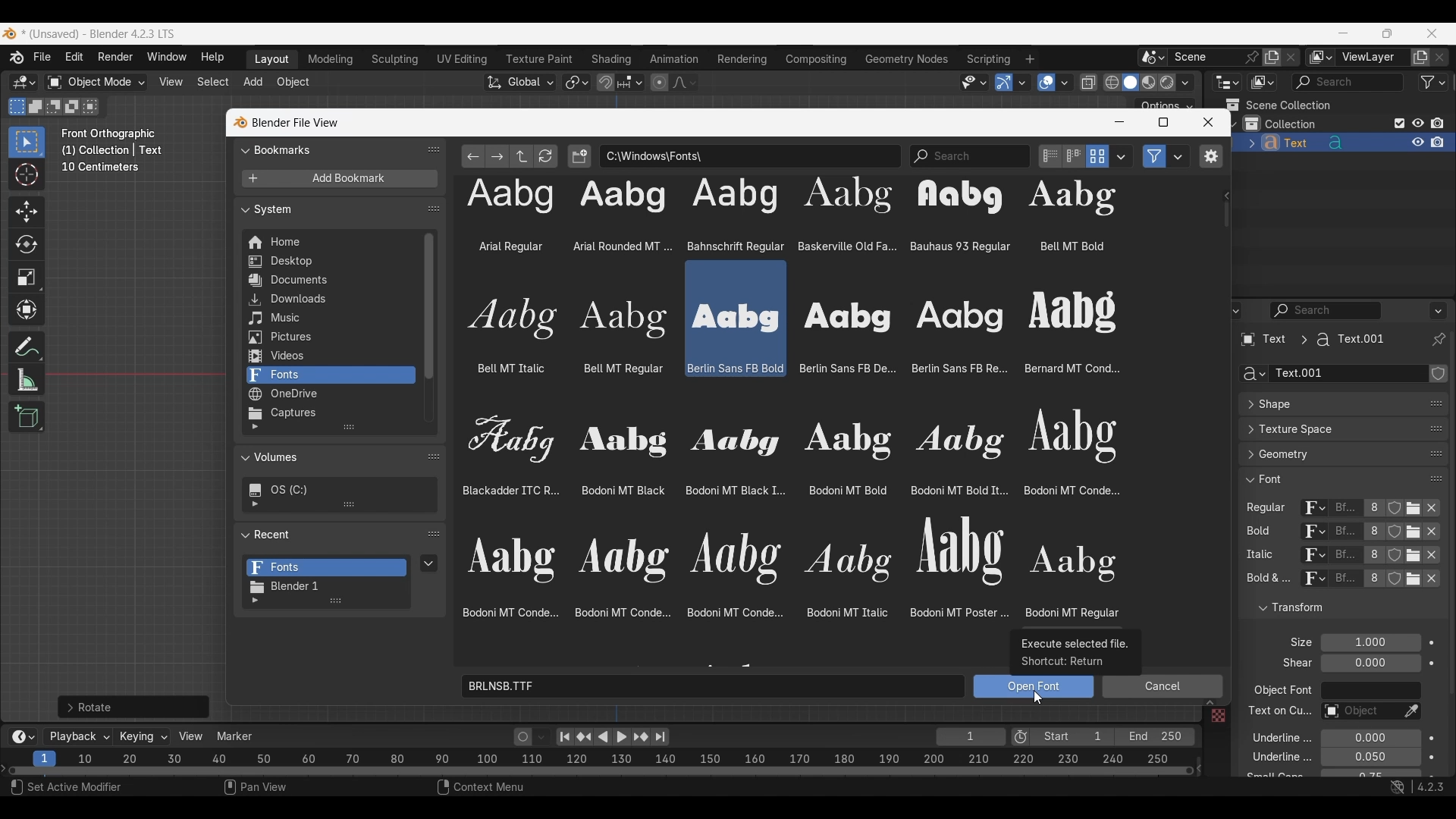 The image size is (1456, 819). I want to click on Disable in renders, so click(1437, 123).